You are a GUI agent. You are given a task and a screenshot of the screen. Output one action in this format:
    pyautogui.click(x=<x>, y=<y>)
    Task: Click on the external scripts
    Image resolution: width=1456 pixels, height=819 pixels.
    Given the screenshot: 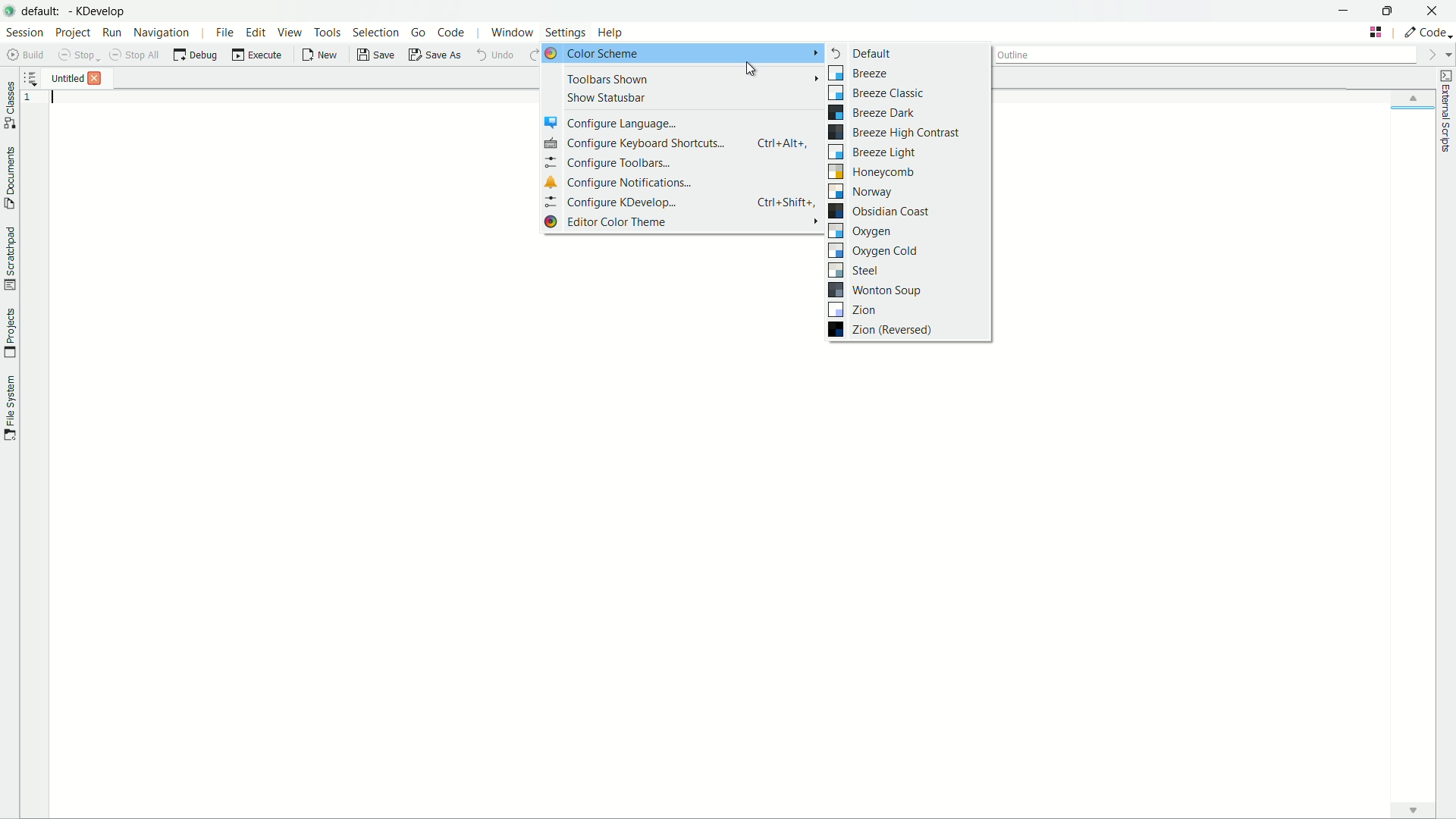 What is the action you would take?
    pyautogui.click(x=1446, y=111)
    